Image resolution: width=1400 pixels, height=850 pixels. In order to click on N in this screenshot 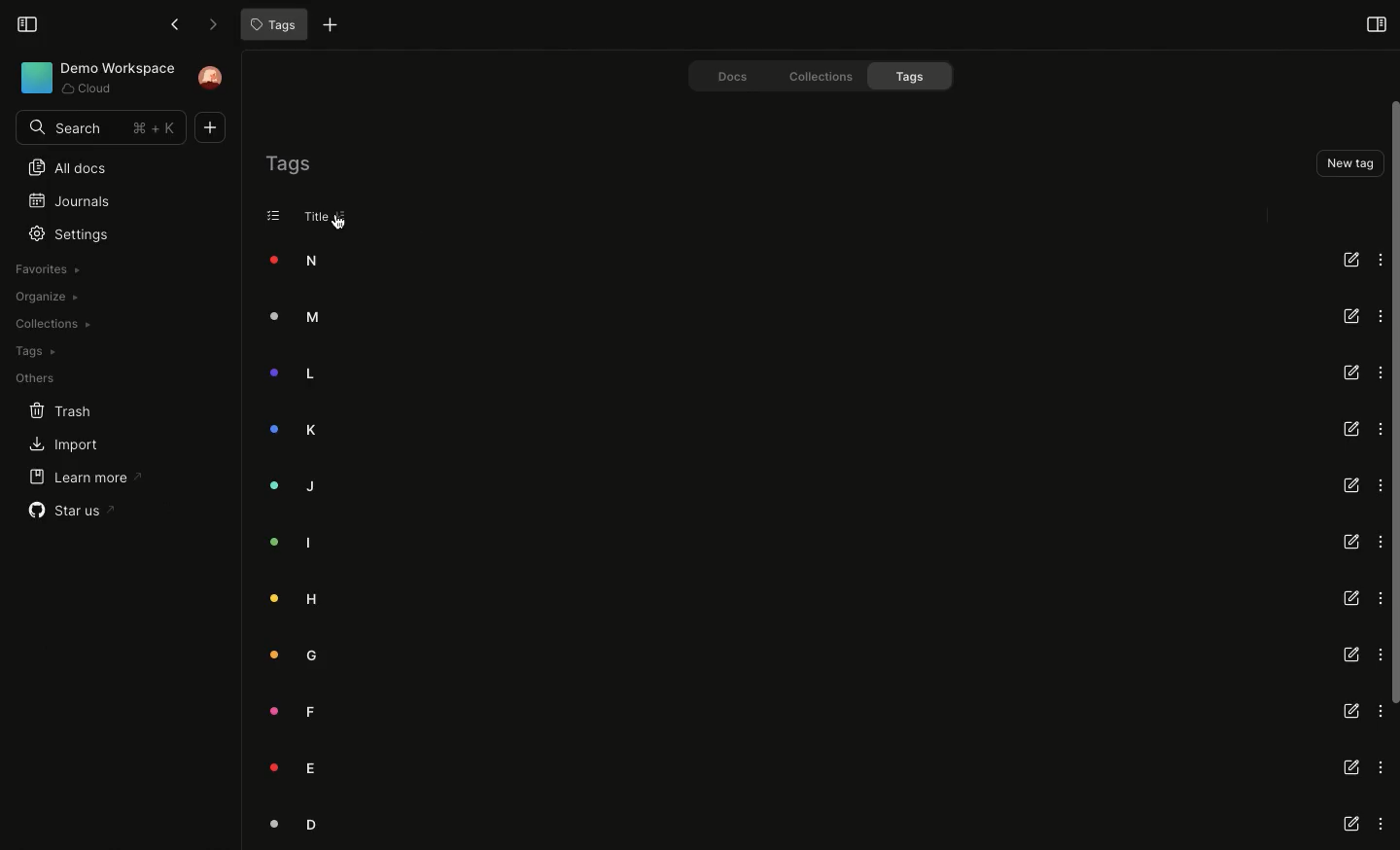, I will do `click(284, 261)`.